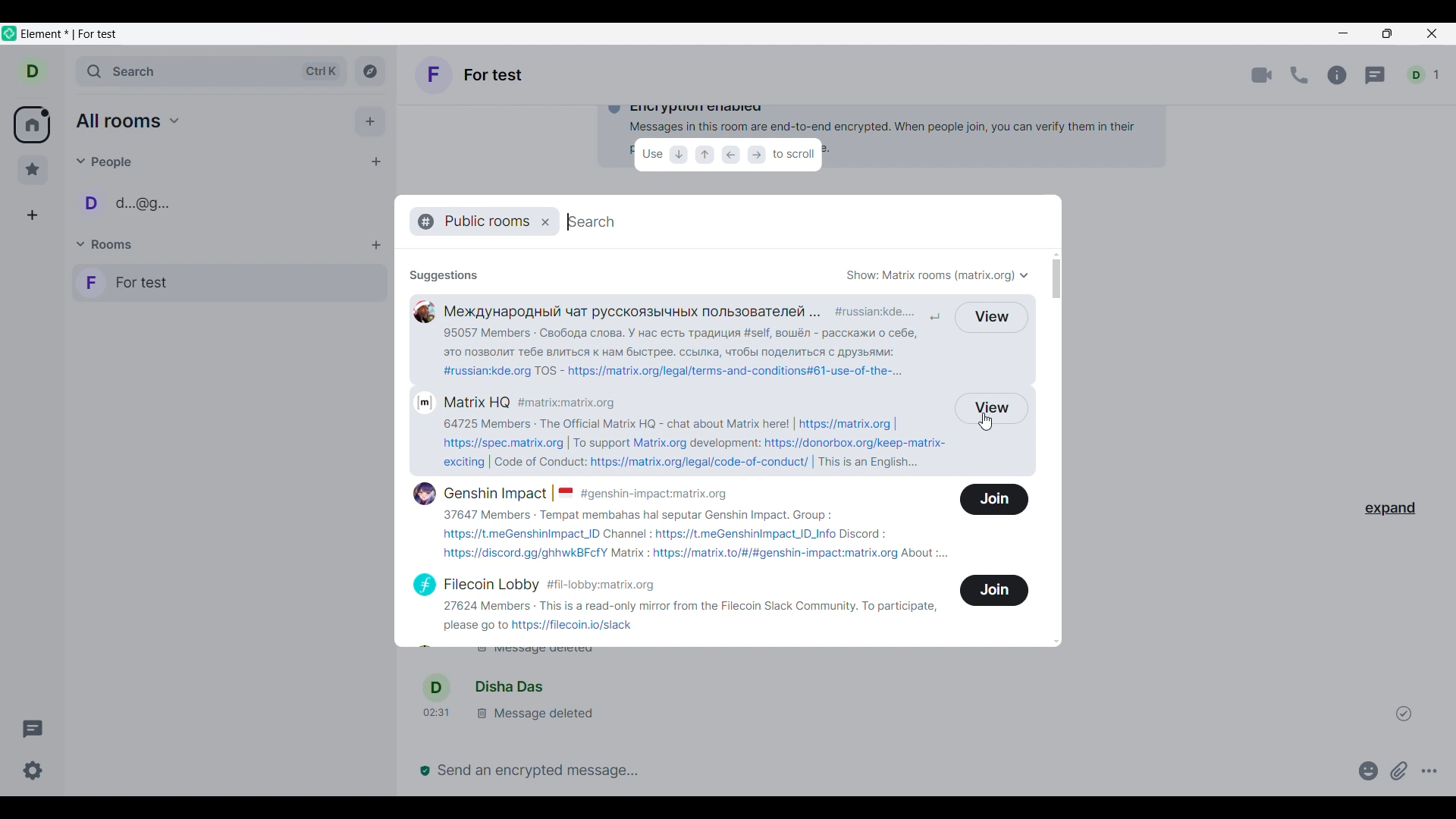  Describe the element at coordinates (1385, 36) in the screenshot. I see `maximize` at that location.